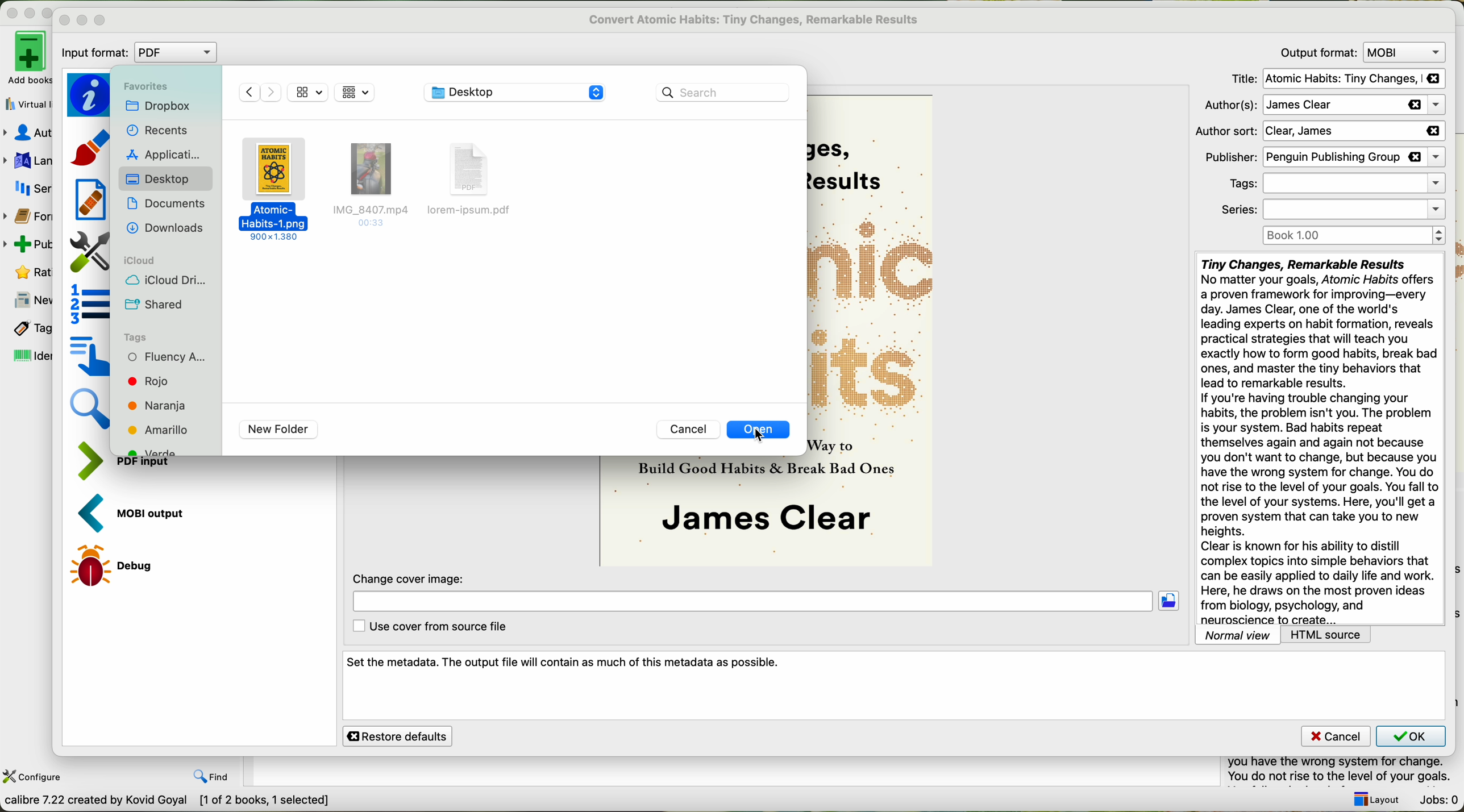  Describe the element at coordinates (156, 407) in the screenshot. I see `orange tag` at that location.